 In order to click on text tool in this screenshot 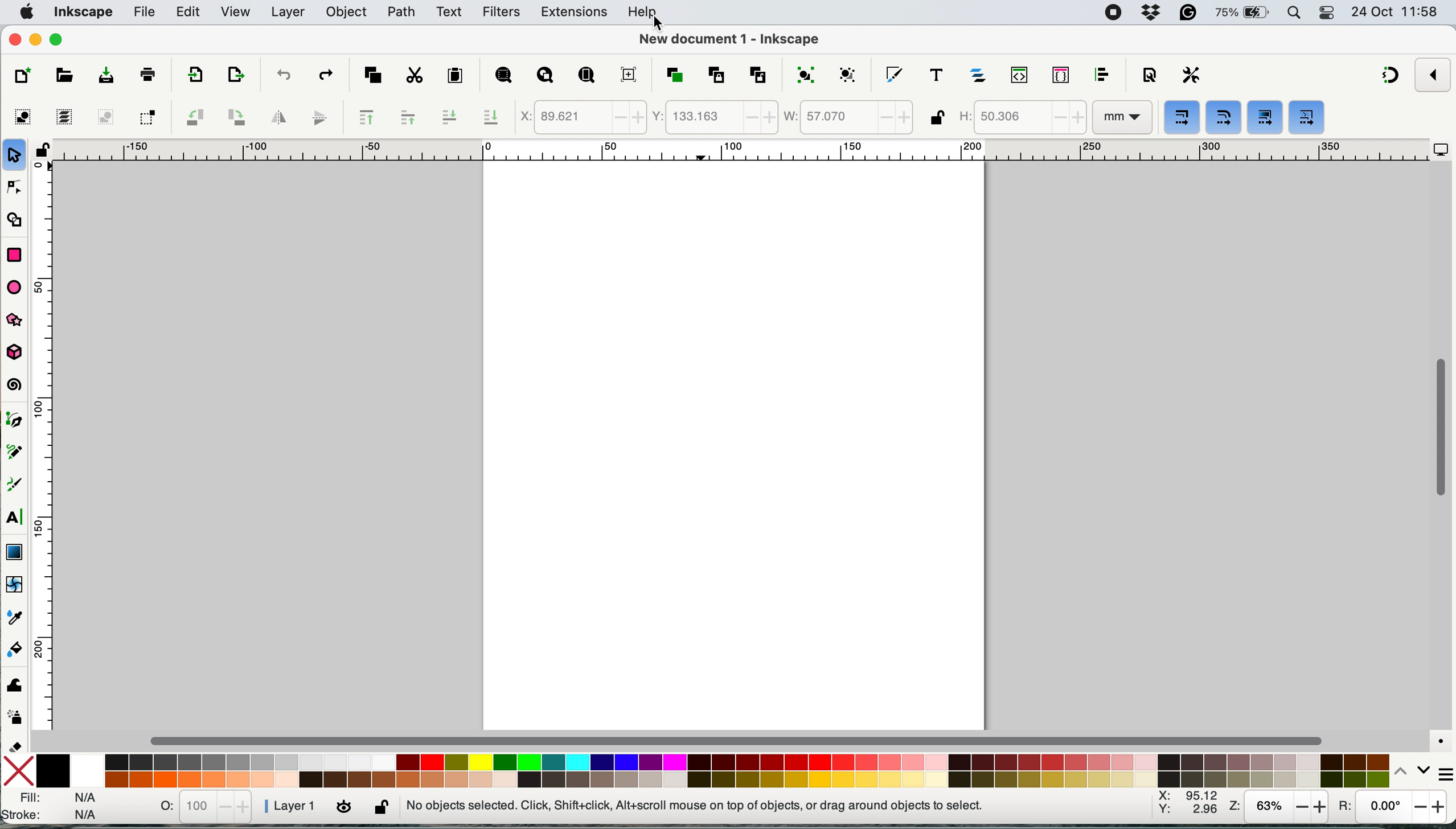, I will do `click(15, 518)`.